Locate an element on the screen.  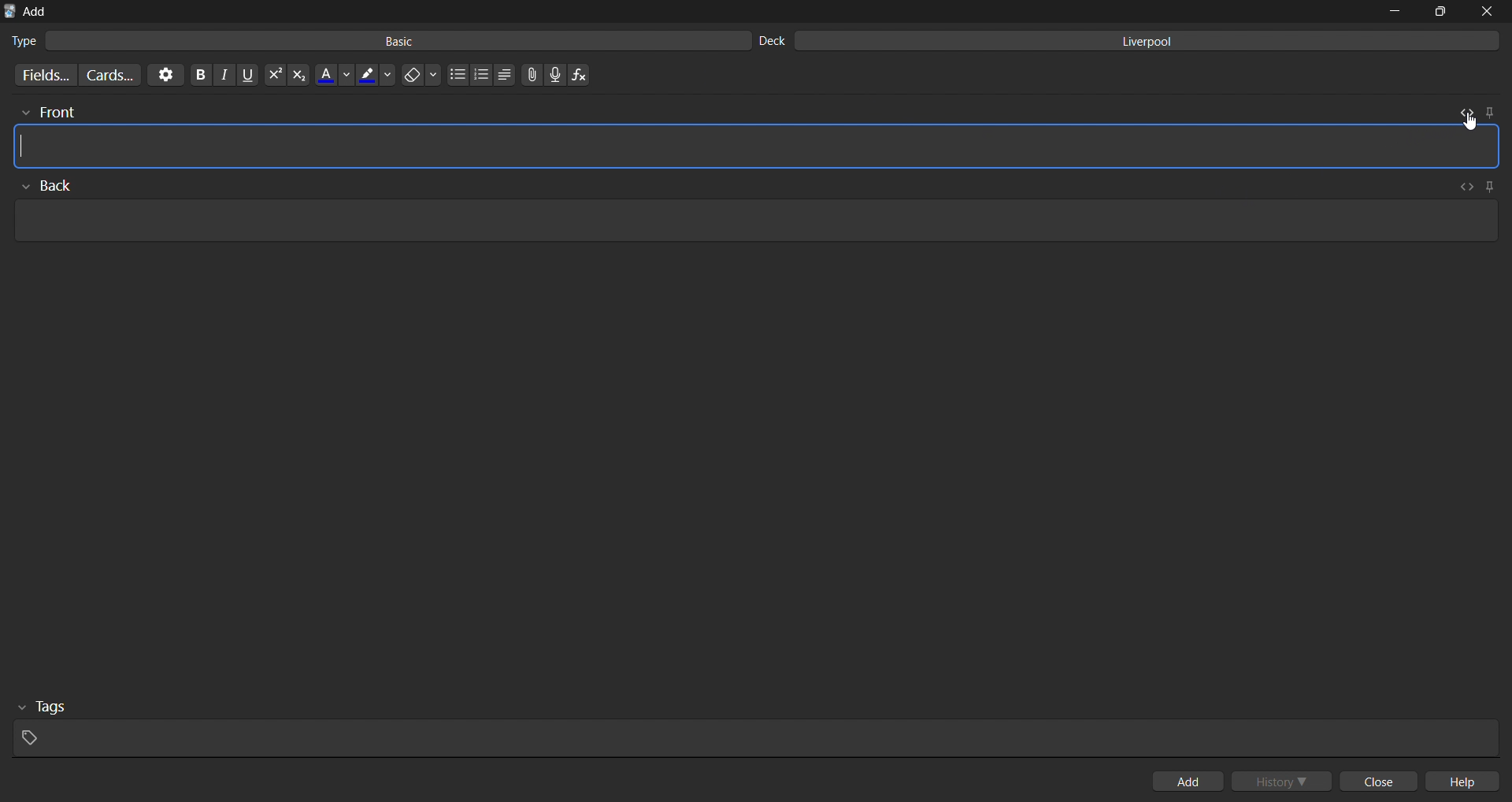
record audio is located at coordinates (559, 76).